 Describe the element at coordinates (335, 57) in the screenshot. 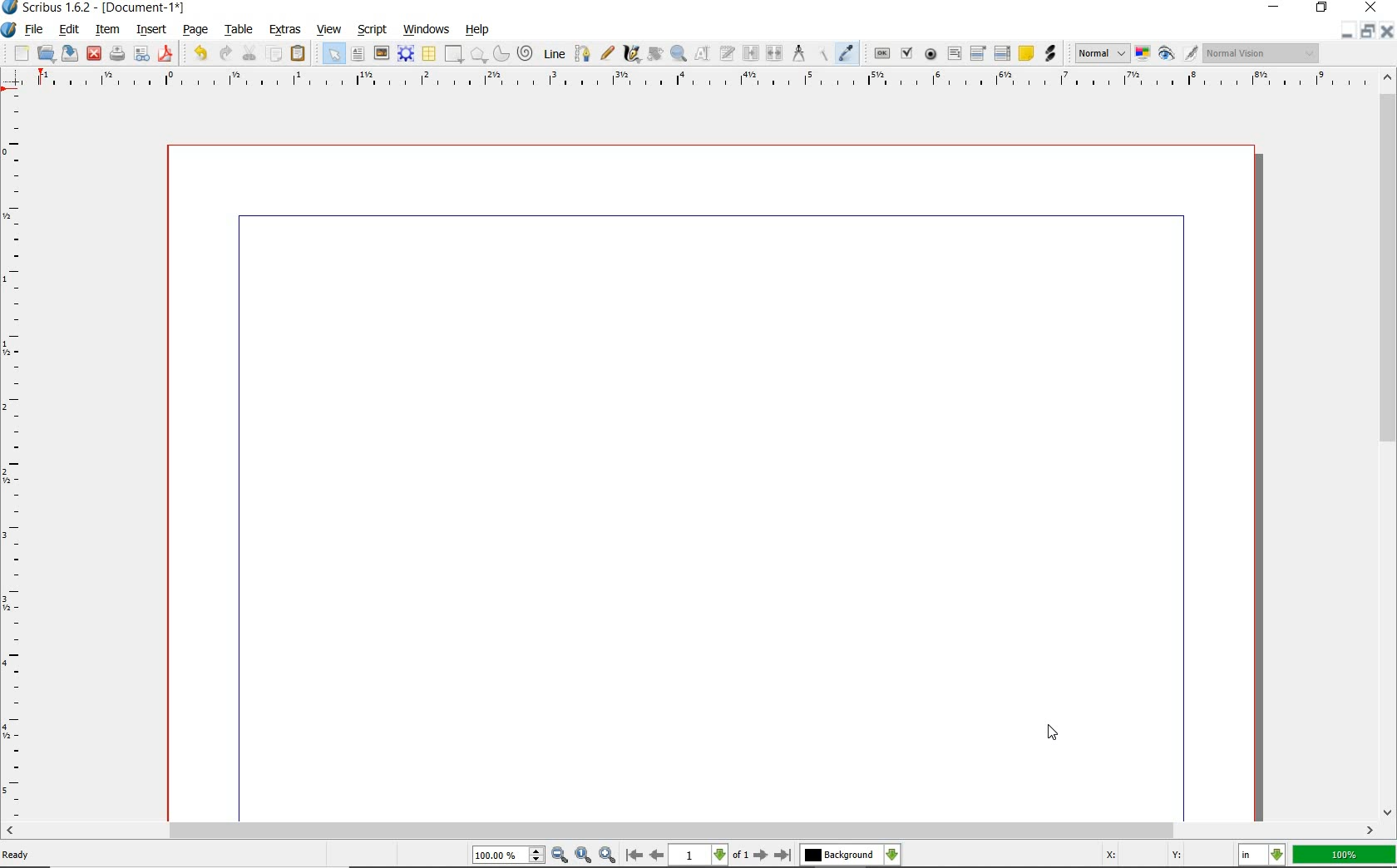

I see `select` at that location.